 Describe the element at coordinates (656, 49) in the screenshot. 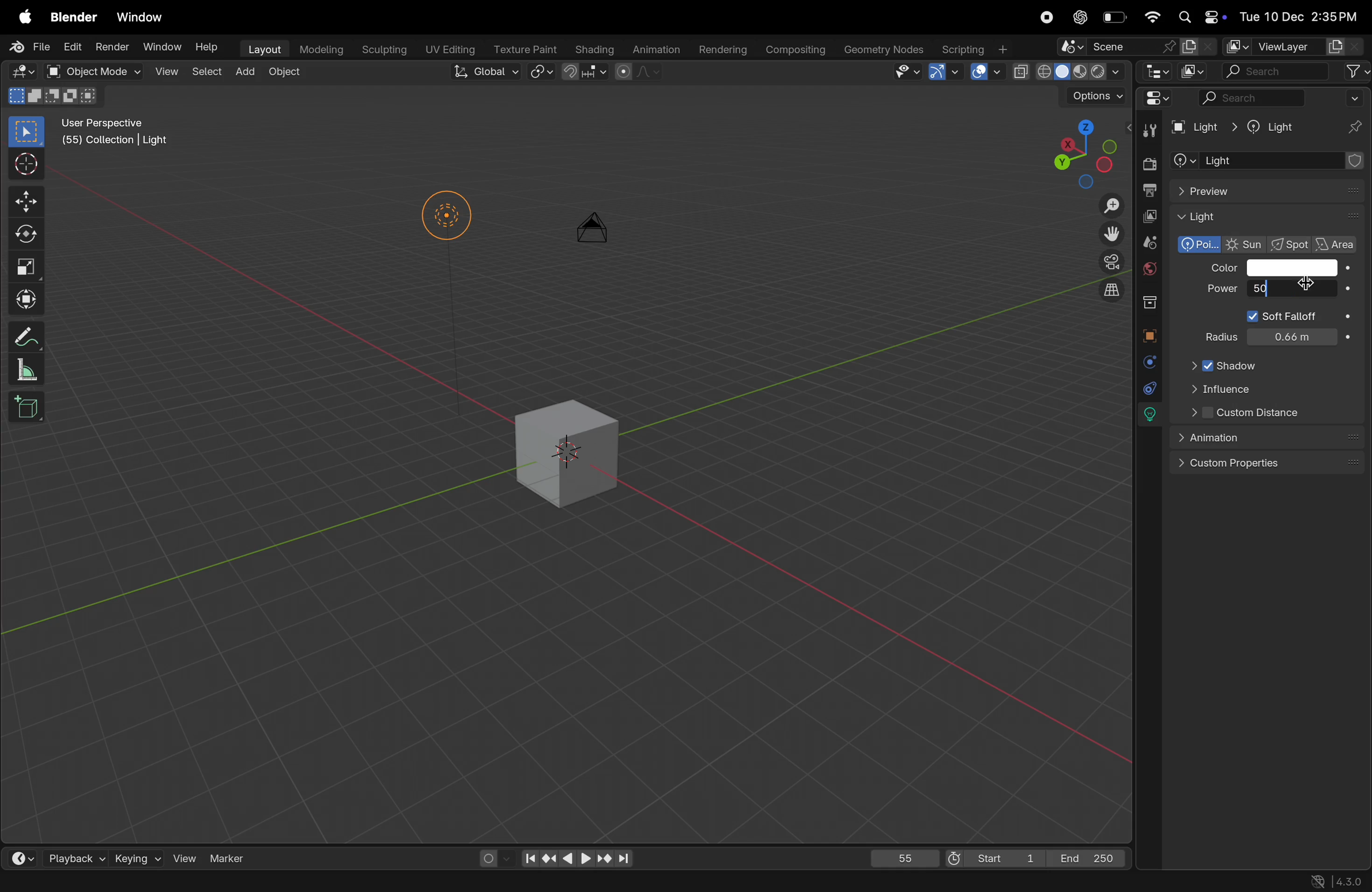

I see `animation` at that location.